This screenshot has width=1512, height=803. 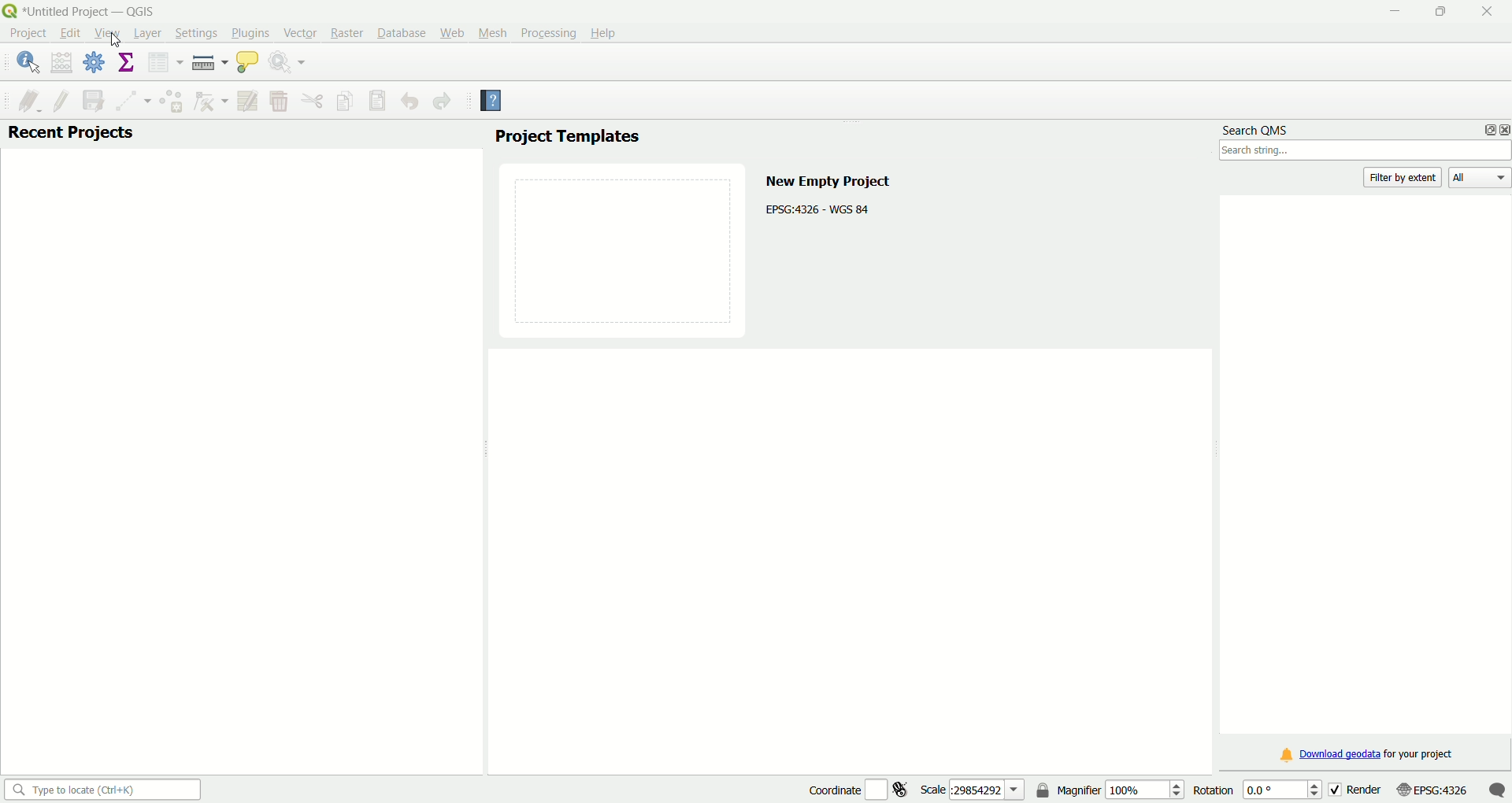 What do you see at coordinates (193, 33) in the screenshot?
I see `Settings` at bounding box center [193, 33].